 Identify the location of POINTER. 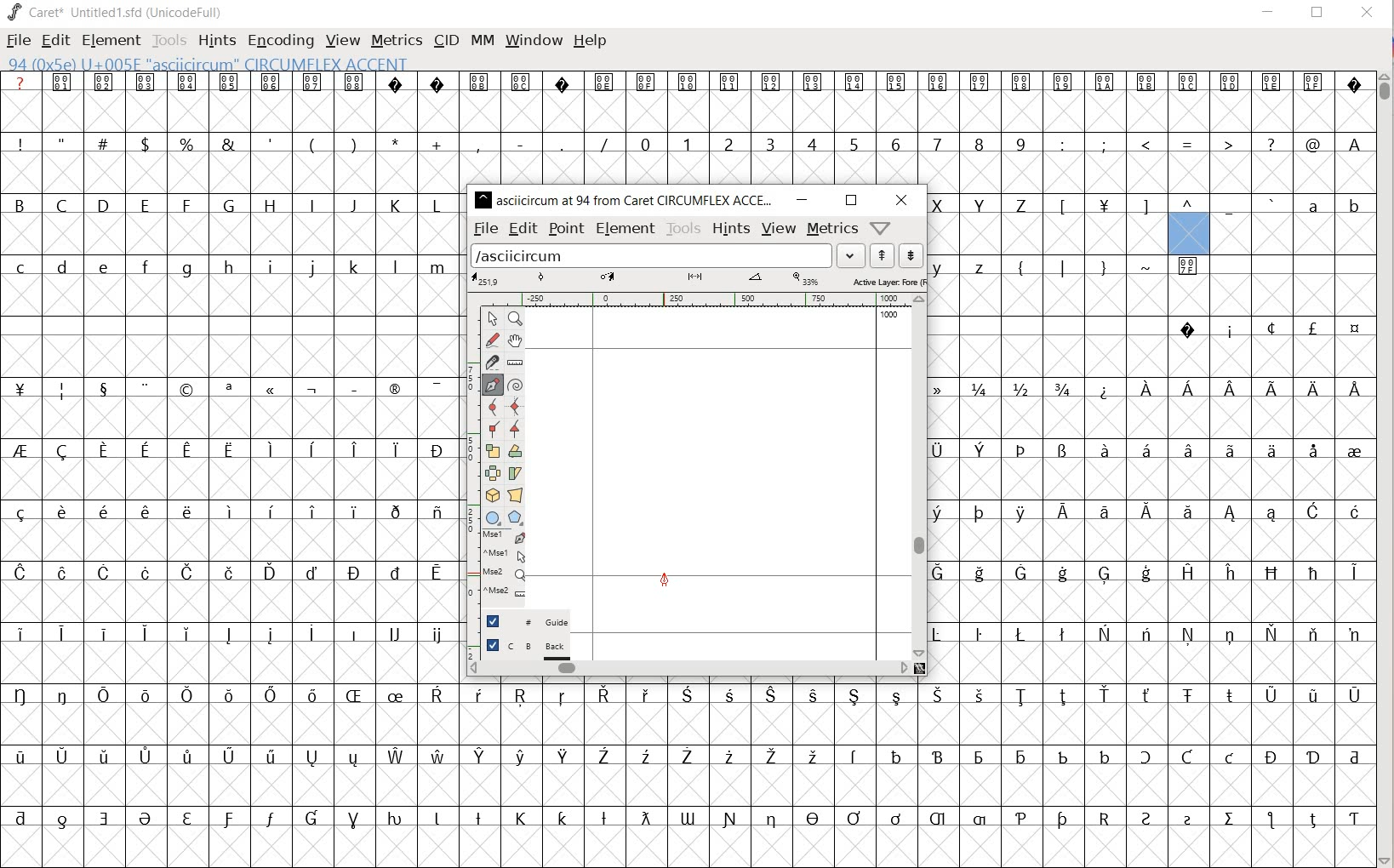
(494, 320).